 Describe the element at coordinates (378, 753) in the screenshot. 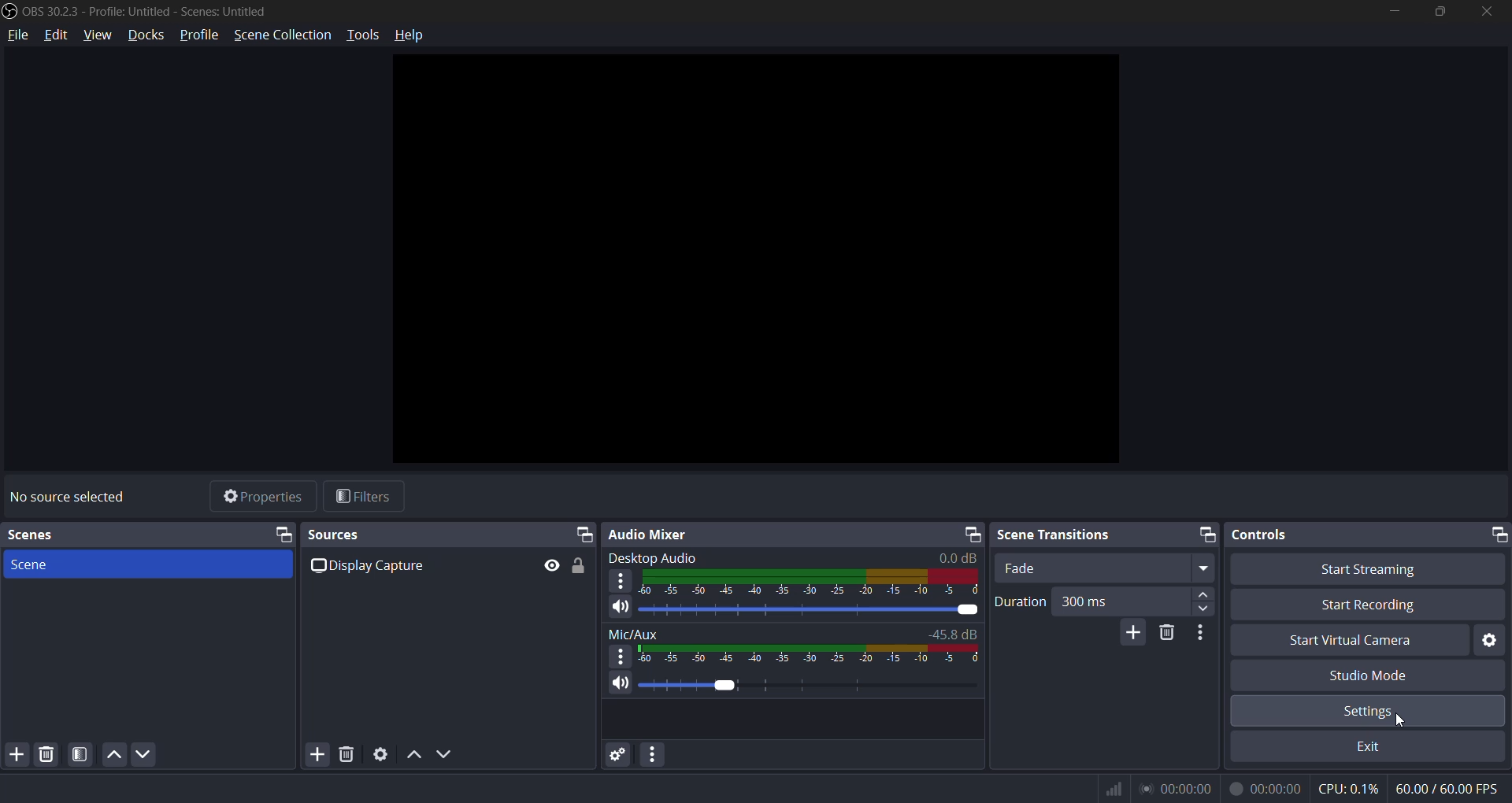

I see `open source properties` at that location.